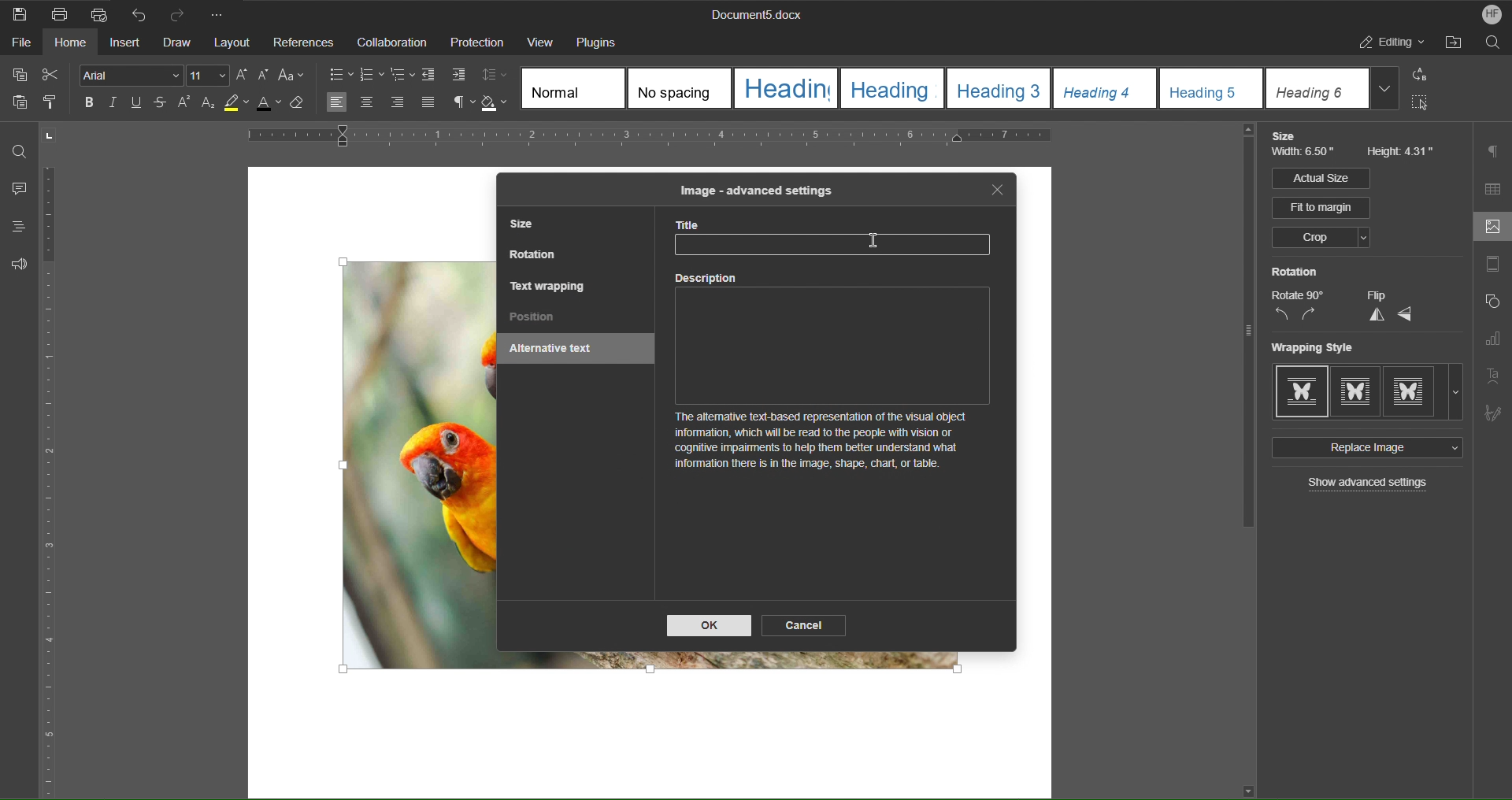  Describe the element at coordinates (1425, 106) in the screenshot. I see `Select All` at that location.